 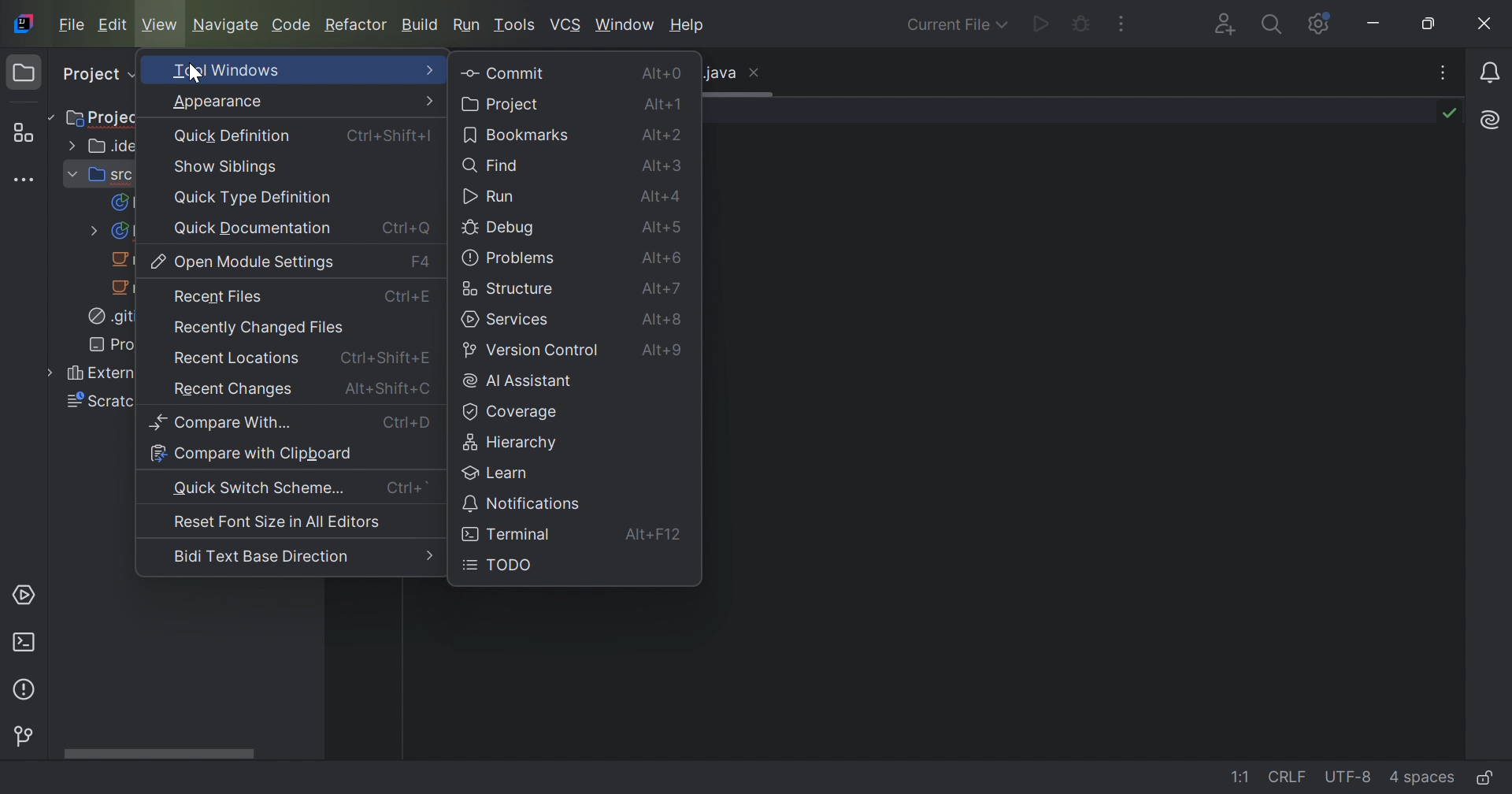 What do you see at coordinates (123, 288) in the screenshot?
I see `main3.java` at bounding box center [123, 288].